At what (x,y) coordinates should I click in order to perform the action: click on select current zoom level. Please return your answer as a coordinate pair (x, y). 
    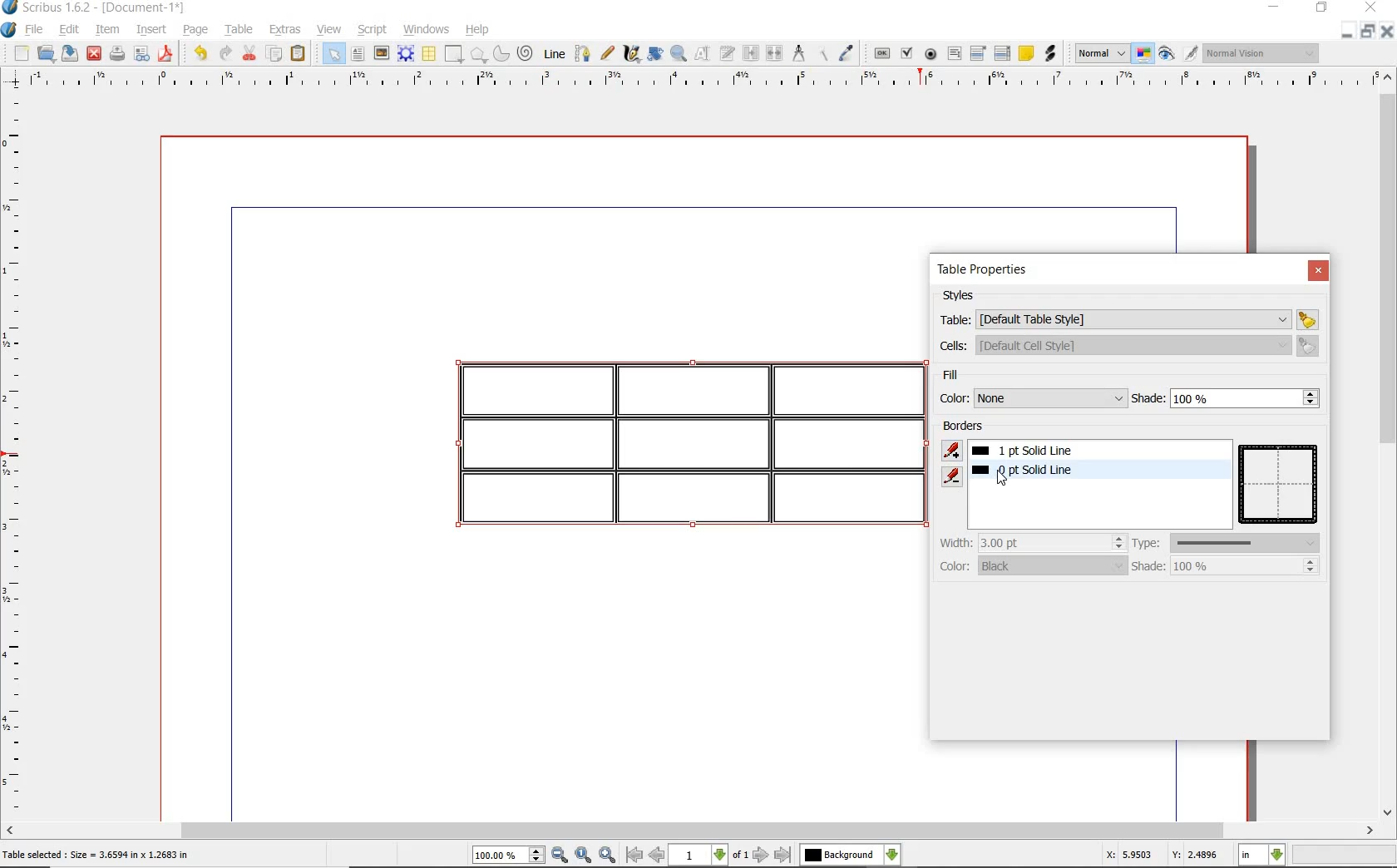
    Looking at the image, I should click on (509, 856).